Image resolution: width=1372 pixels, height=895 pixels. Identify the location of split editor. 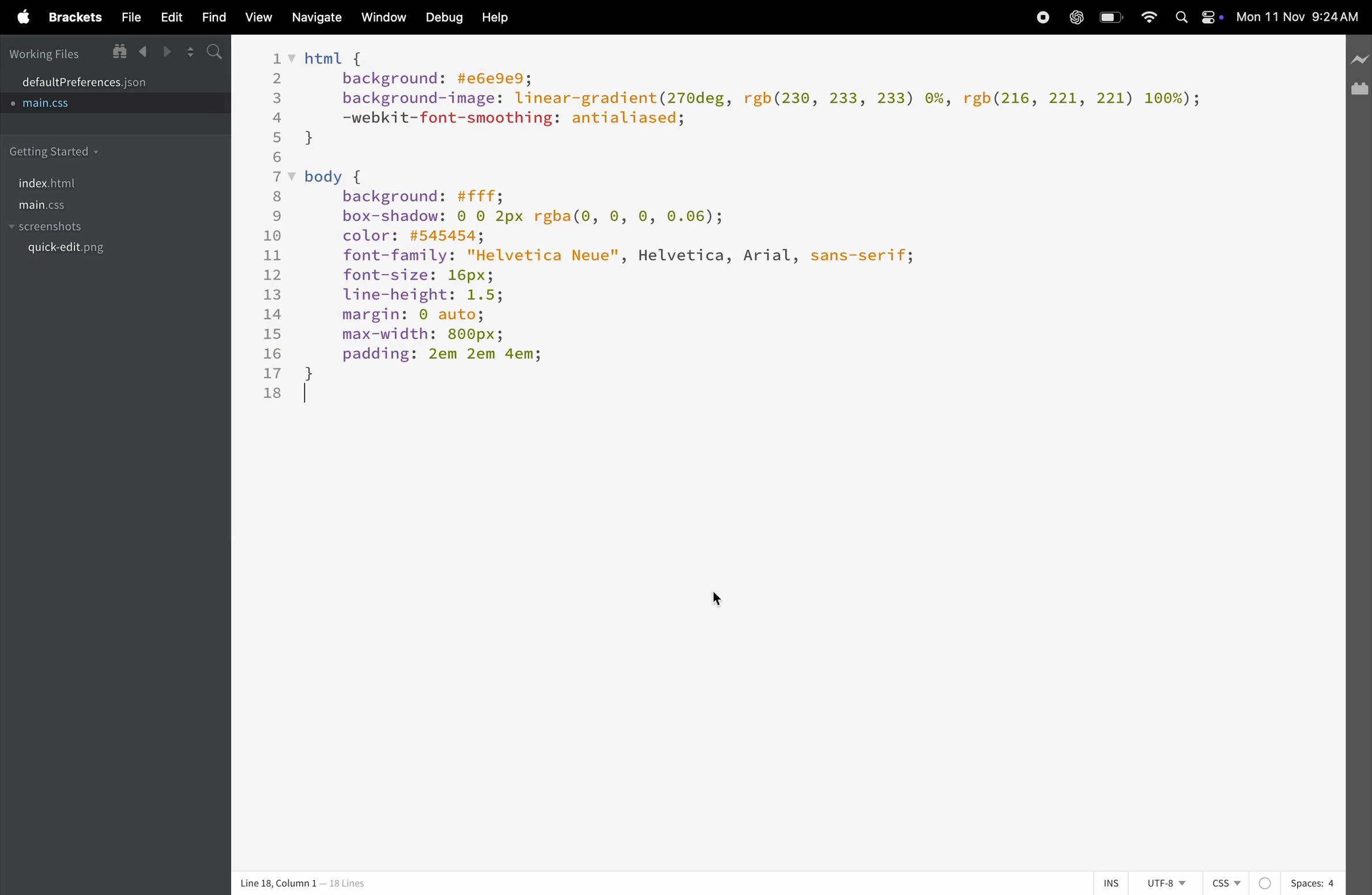
(191, 53).